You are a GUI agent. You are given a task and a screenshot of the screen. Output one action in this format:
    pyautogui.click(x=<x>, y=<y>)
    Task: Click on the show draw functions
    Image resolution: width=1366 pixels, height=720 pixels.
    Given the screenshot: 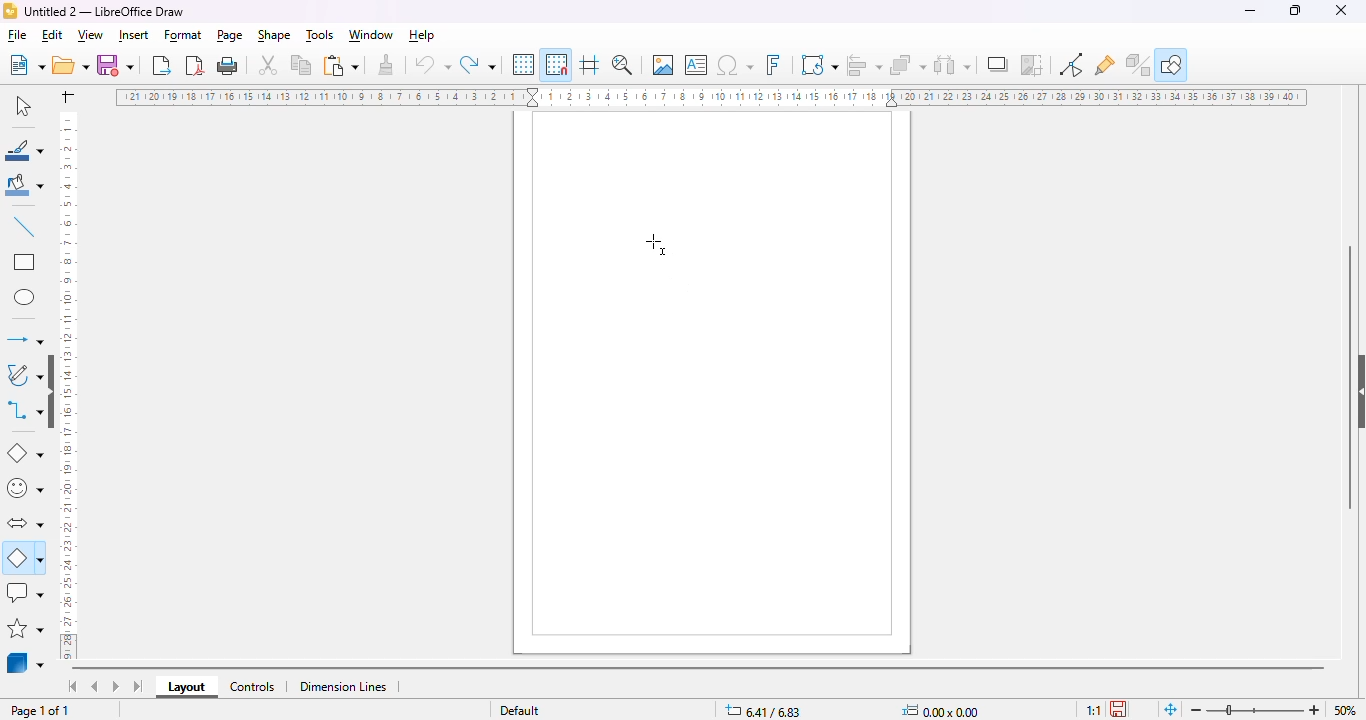 What is the action you would take?
    pyautogui.click(x=1171, y=64)
    